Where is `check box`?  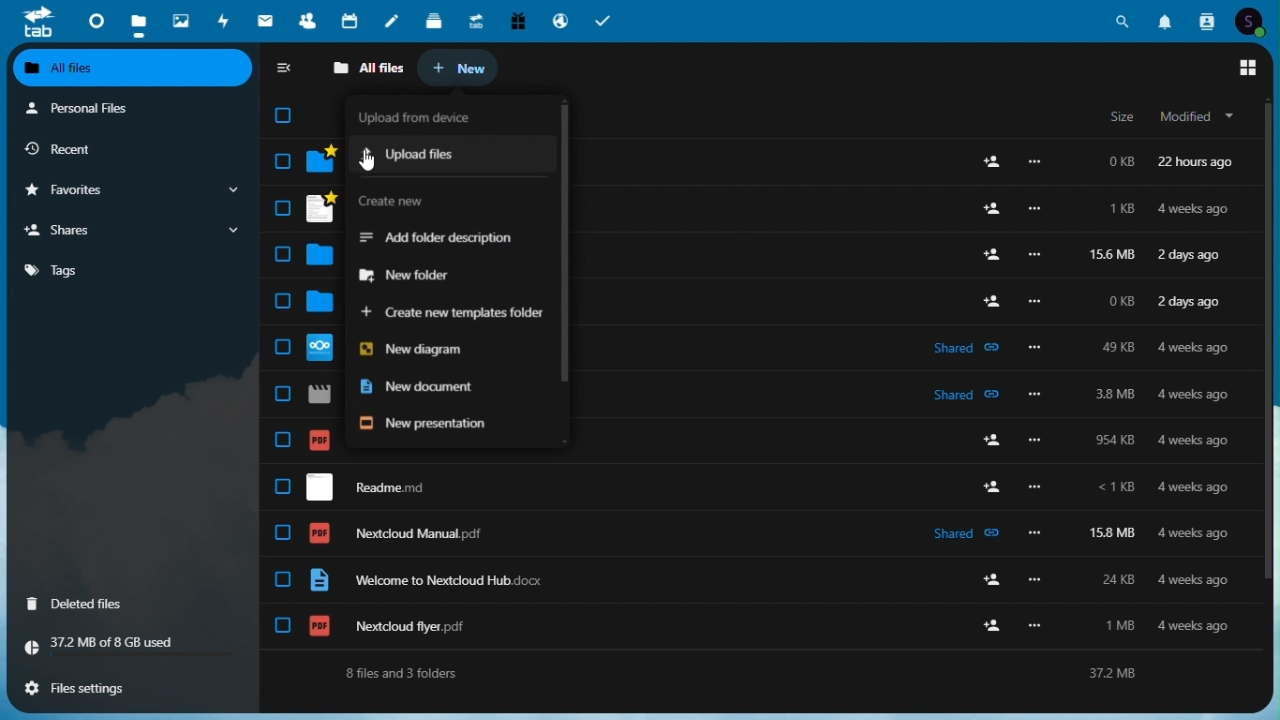 check box is located at coordinates (283, 625).